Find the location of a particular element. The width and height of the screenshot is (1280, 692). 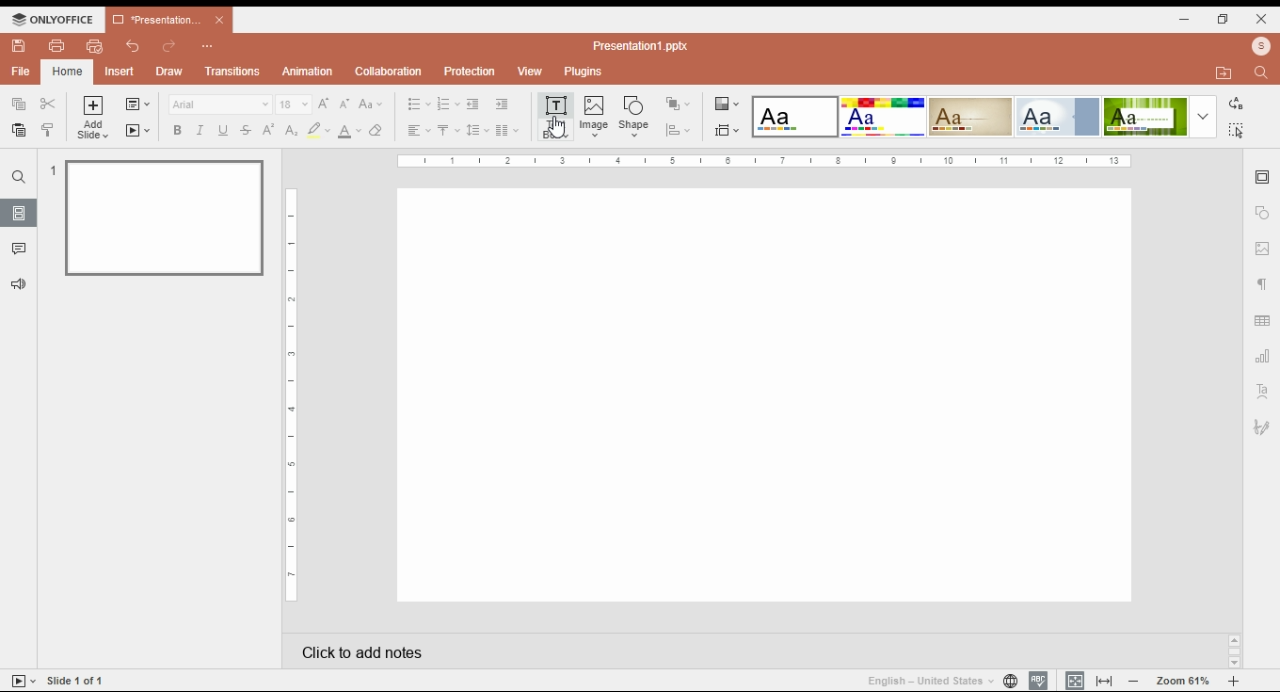

insert is located at coordinates (122, 71).